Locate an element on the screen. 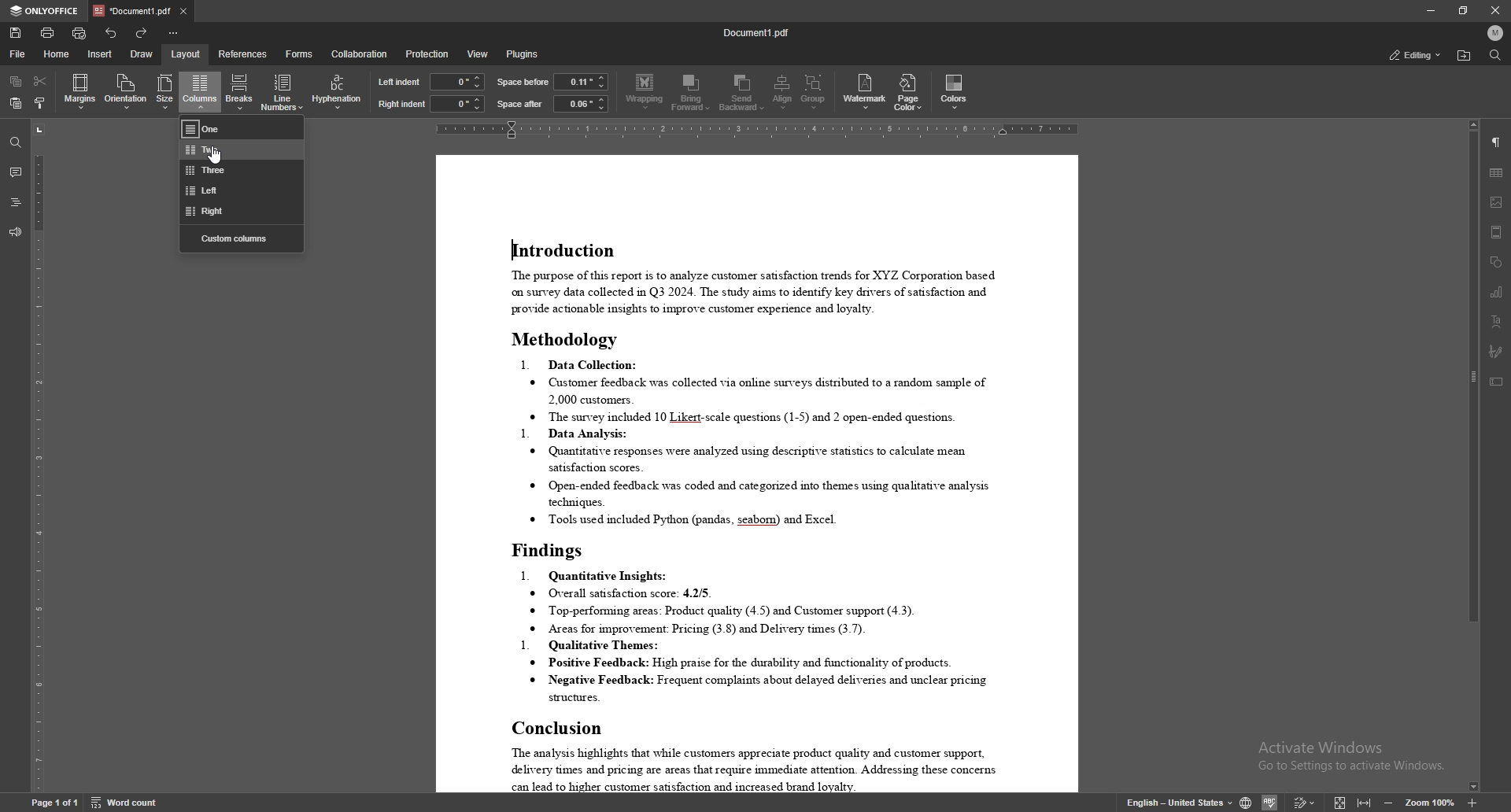 The height and width of the screenshot is (812, 1511). find location is located at coordinates (1465, 56).